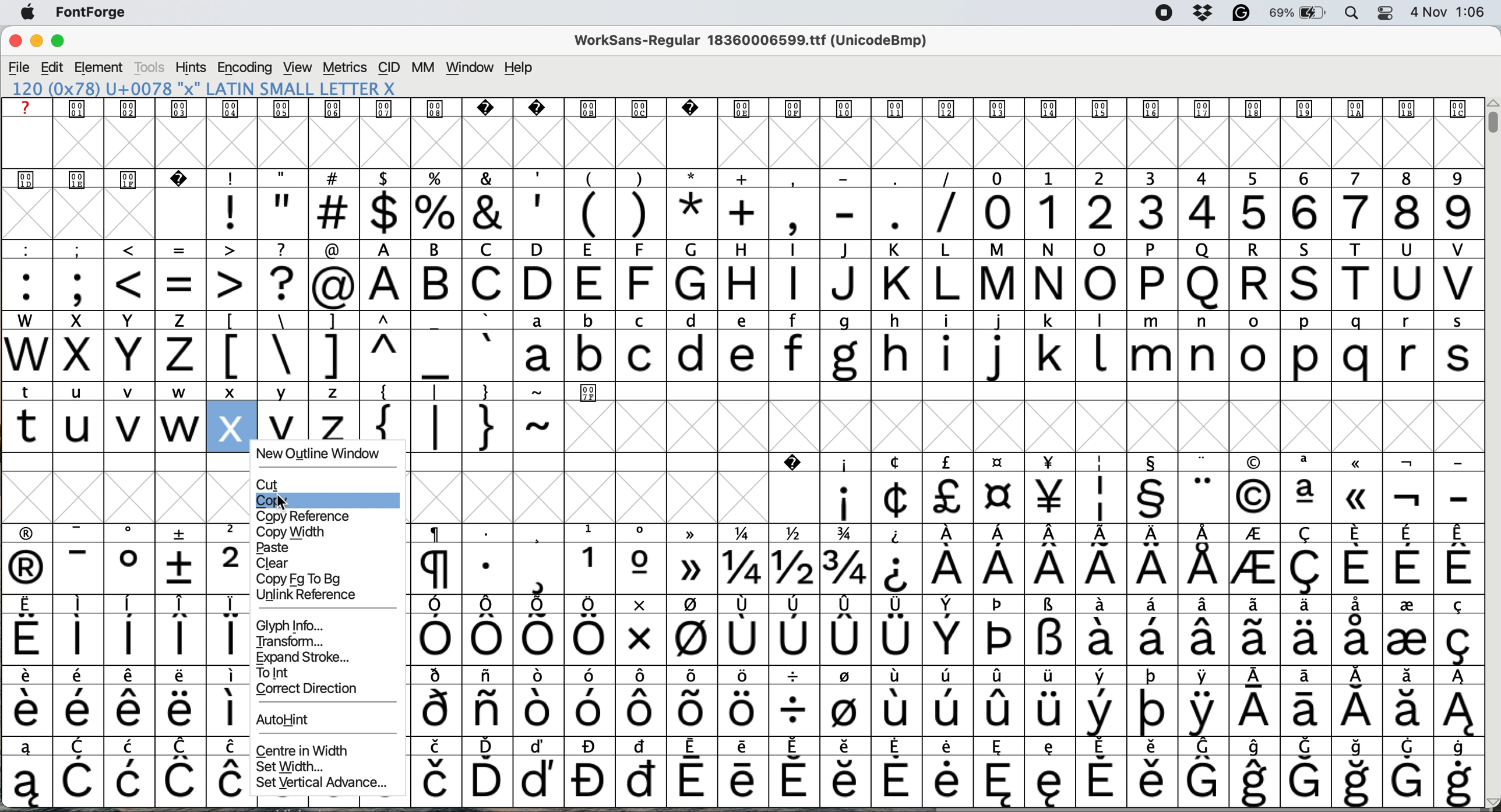  I want to click on special characters, so click(126, 782).